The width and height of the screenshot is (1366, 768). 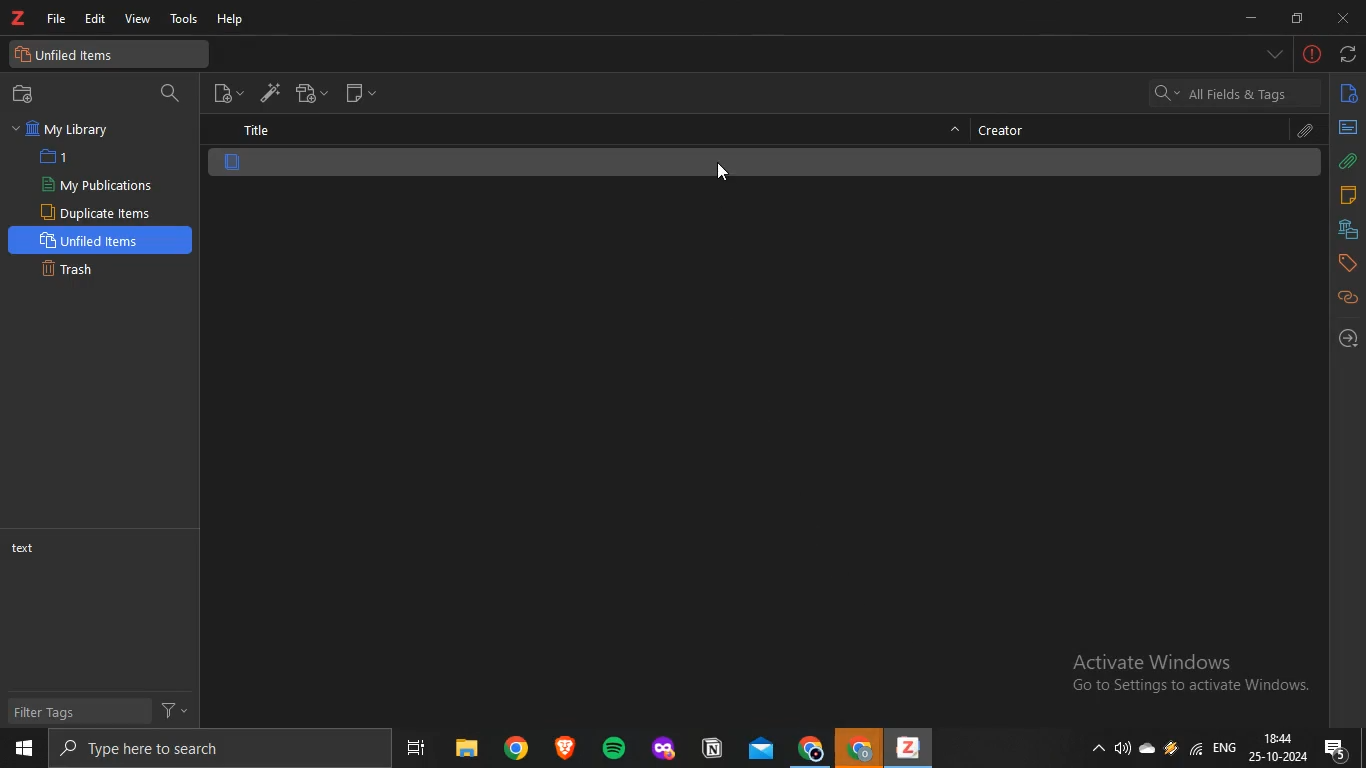 I want to click on restore down, so click(x=1300, y=18).